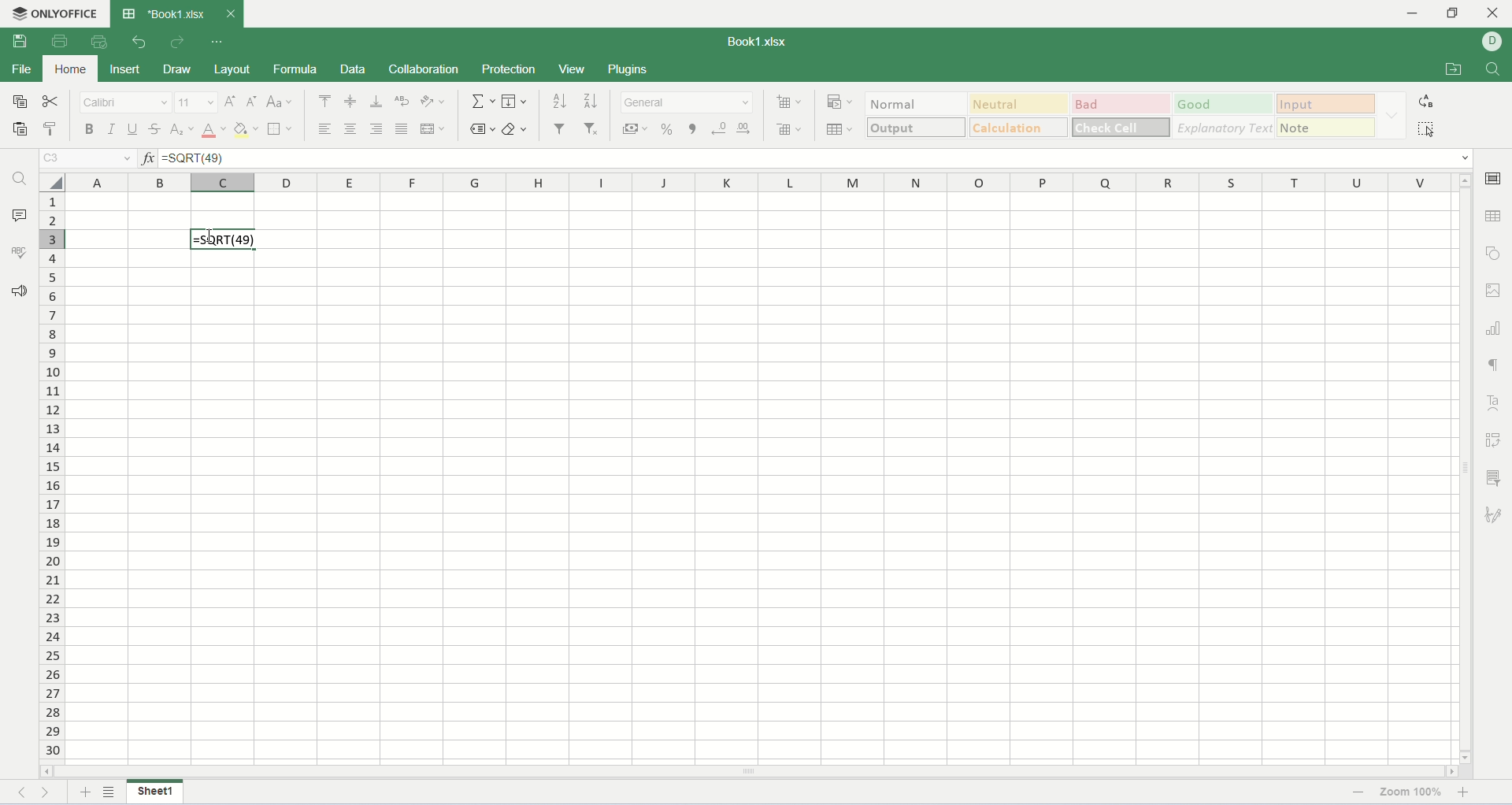 This screenshot has height=805, width=1512. I want to click on subscript/superscript, so click(180, 129).